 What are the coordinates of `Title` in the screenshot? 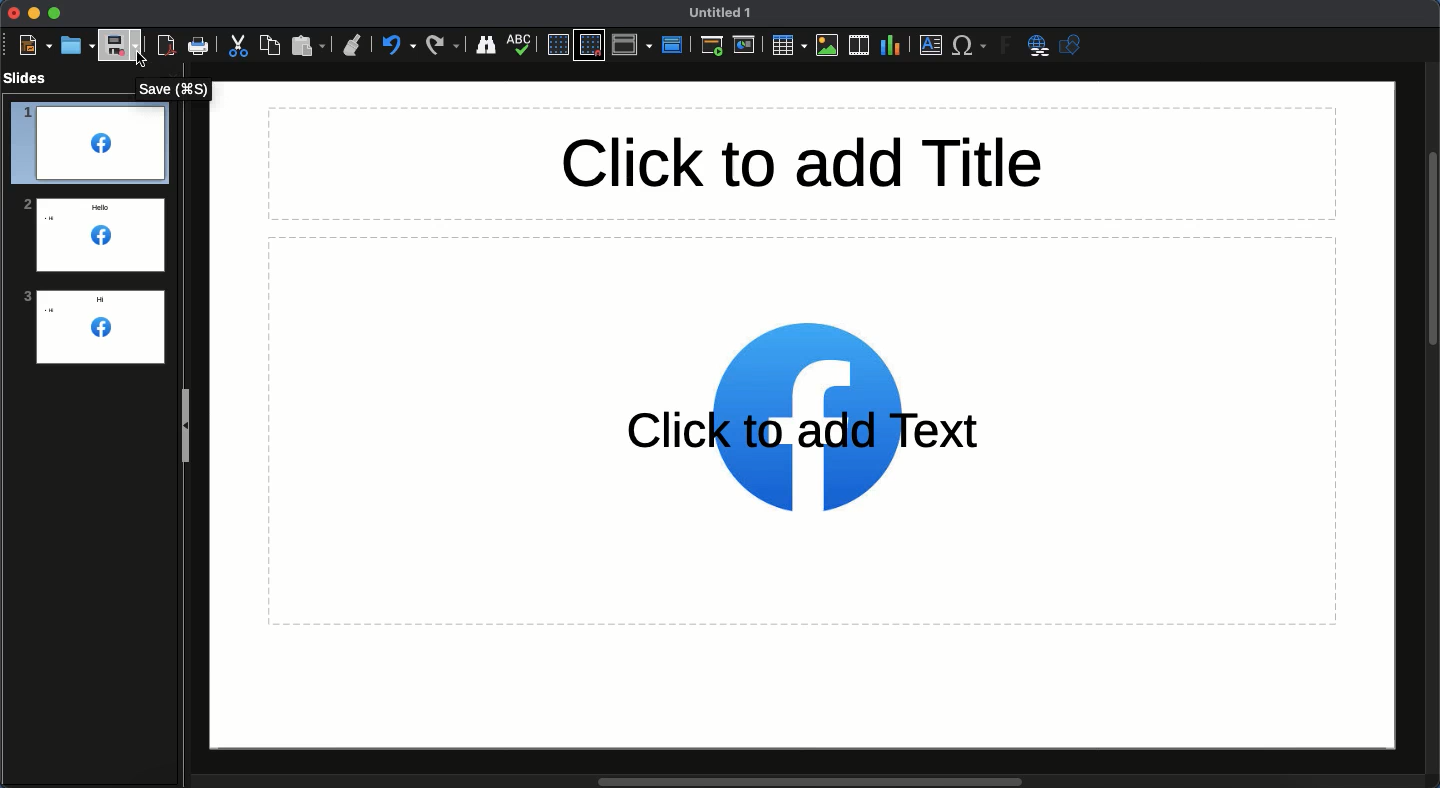 It's located at (807, 163).